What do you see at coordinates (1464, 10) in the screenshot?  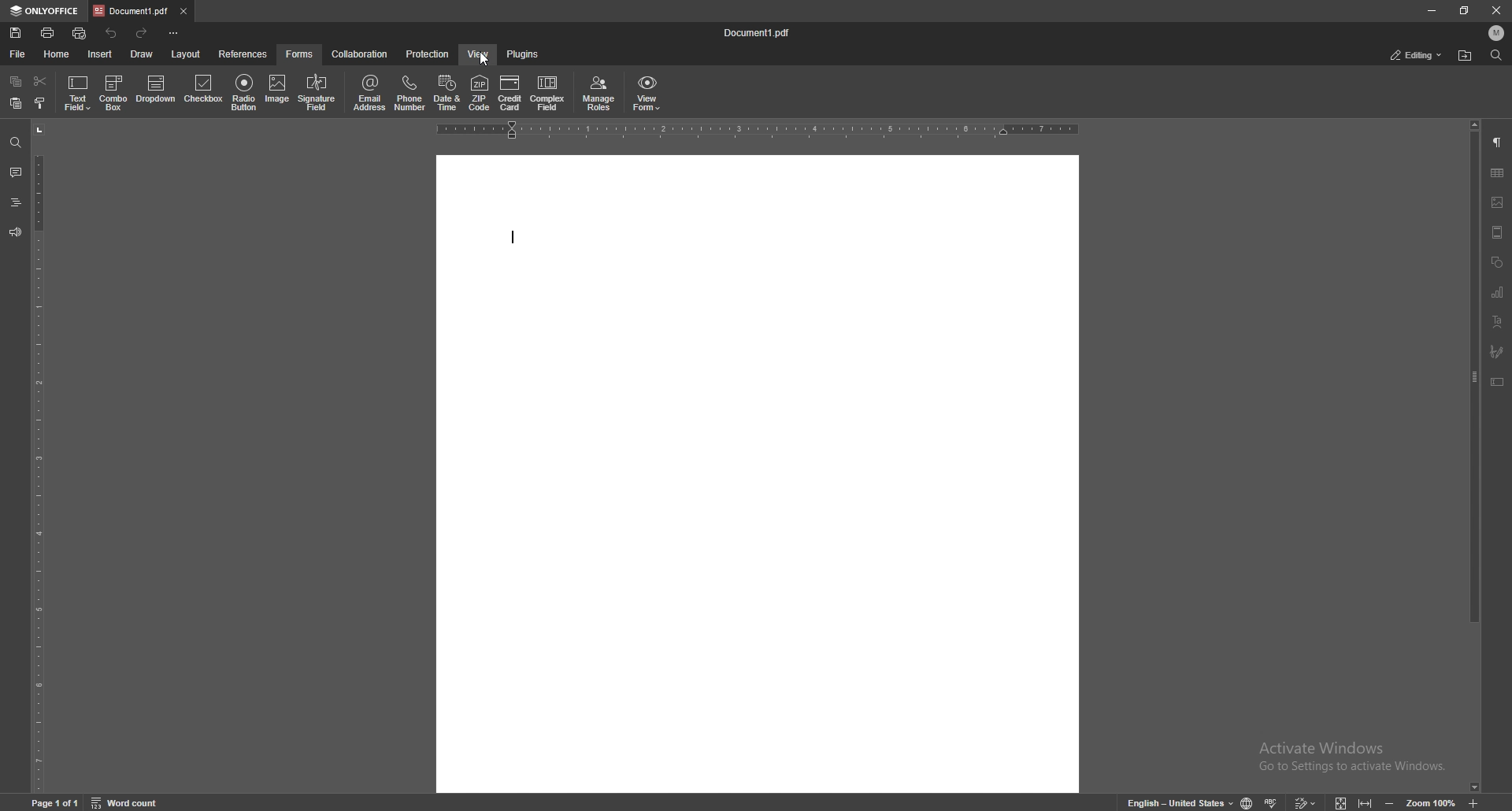 I see `resize` at bounding box center [1464, 10].